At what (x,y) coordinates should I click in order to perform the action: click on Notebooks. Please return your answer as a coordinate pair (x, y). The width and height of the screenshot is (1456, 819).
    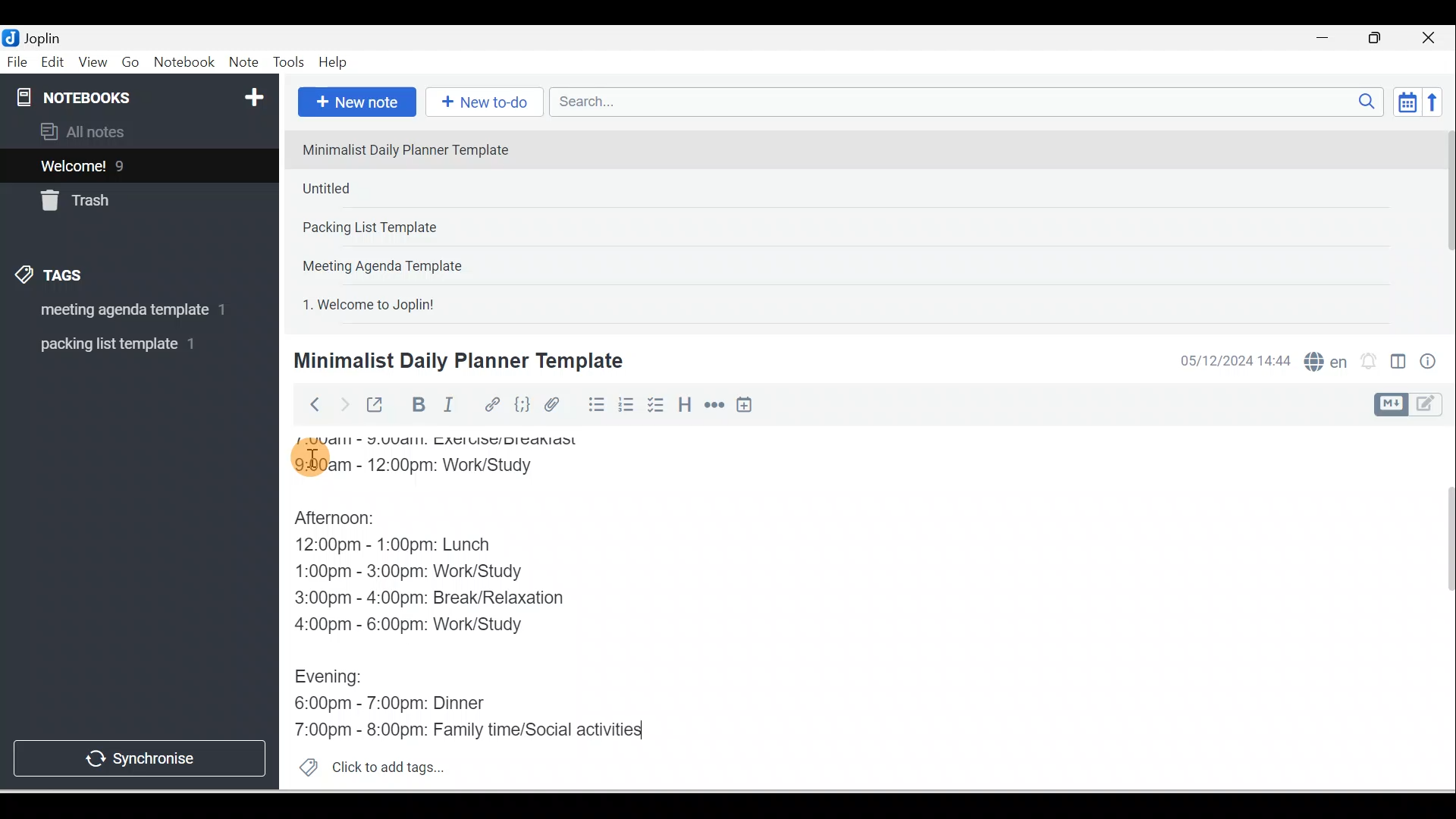
    Looking at the image, I should click on (143, 94).